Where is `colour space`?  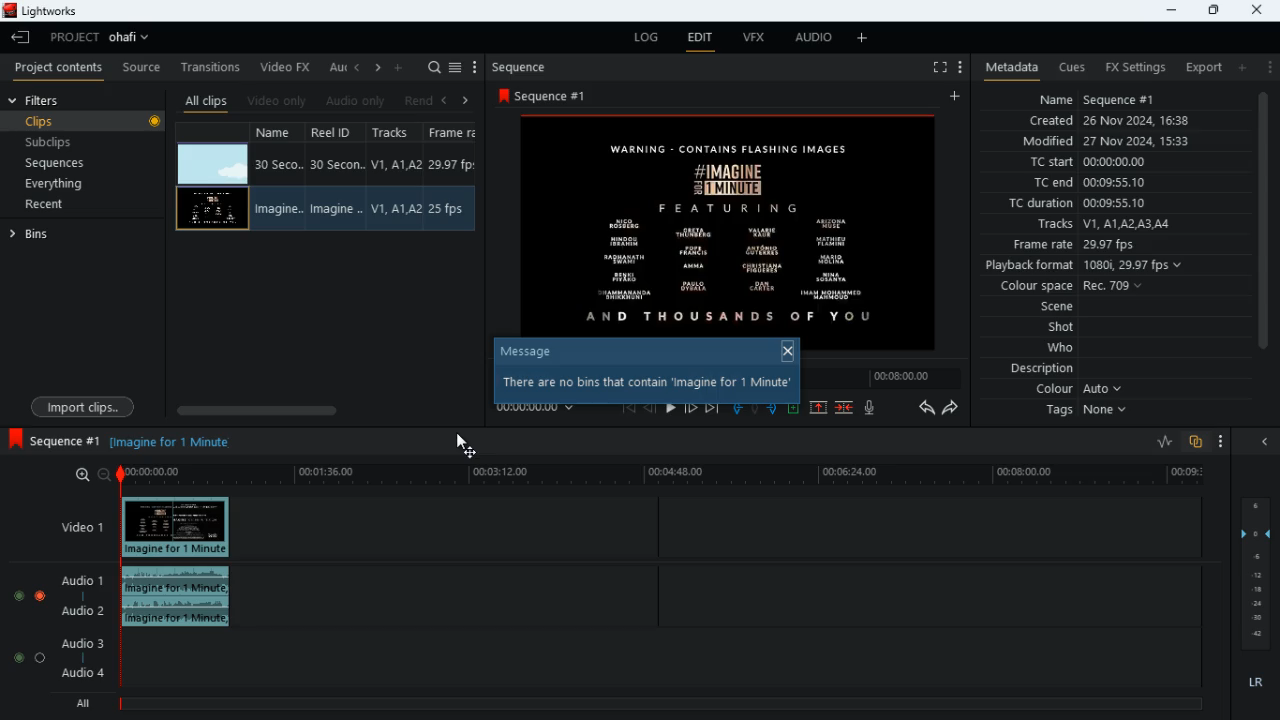
colour space is located at coordinates (1078, 285).